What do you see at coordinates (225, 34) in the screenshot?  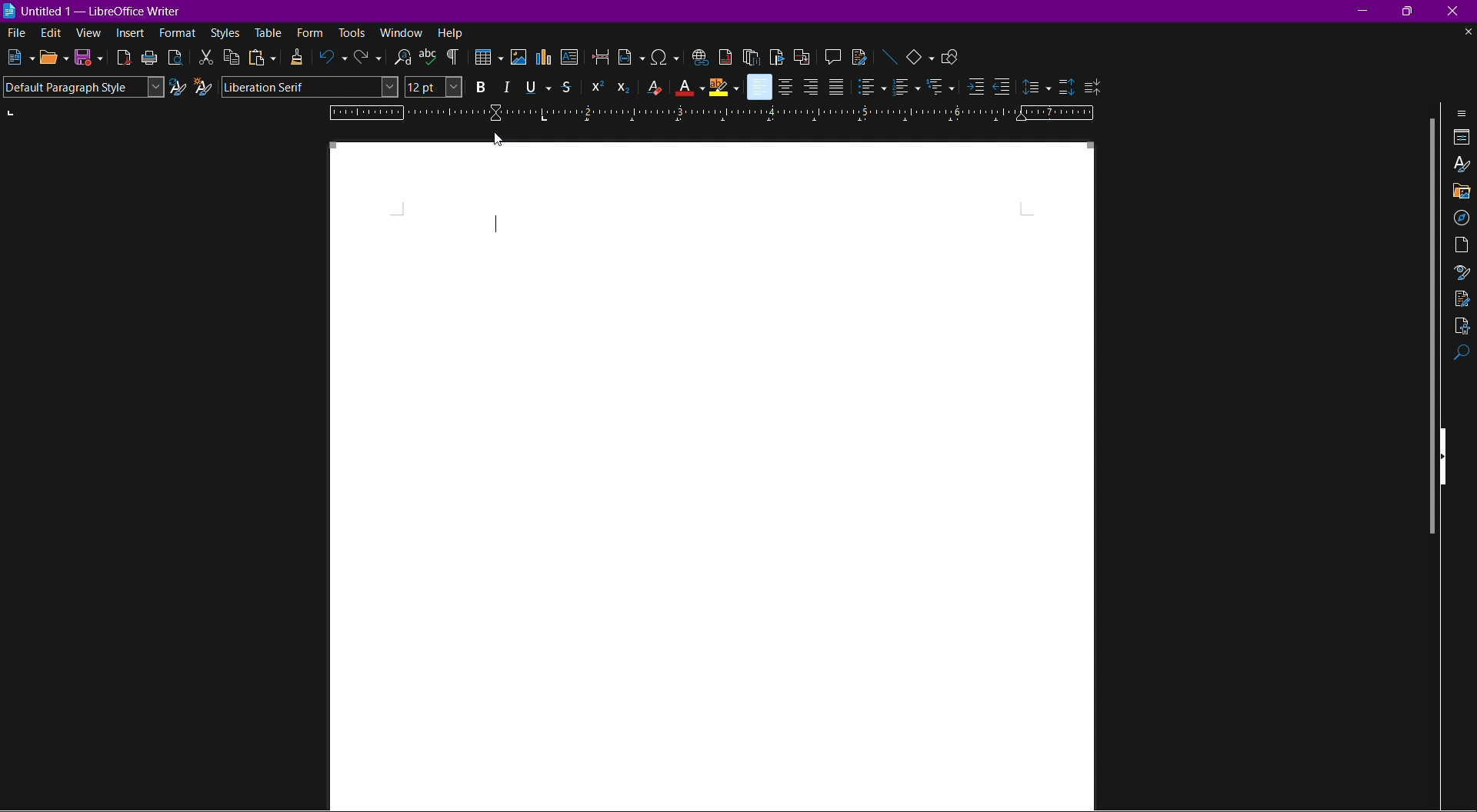 I see `Styles` at bounding box center [225, 34].